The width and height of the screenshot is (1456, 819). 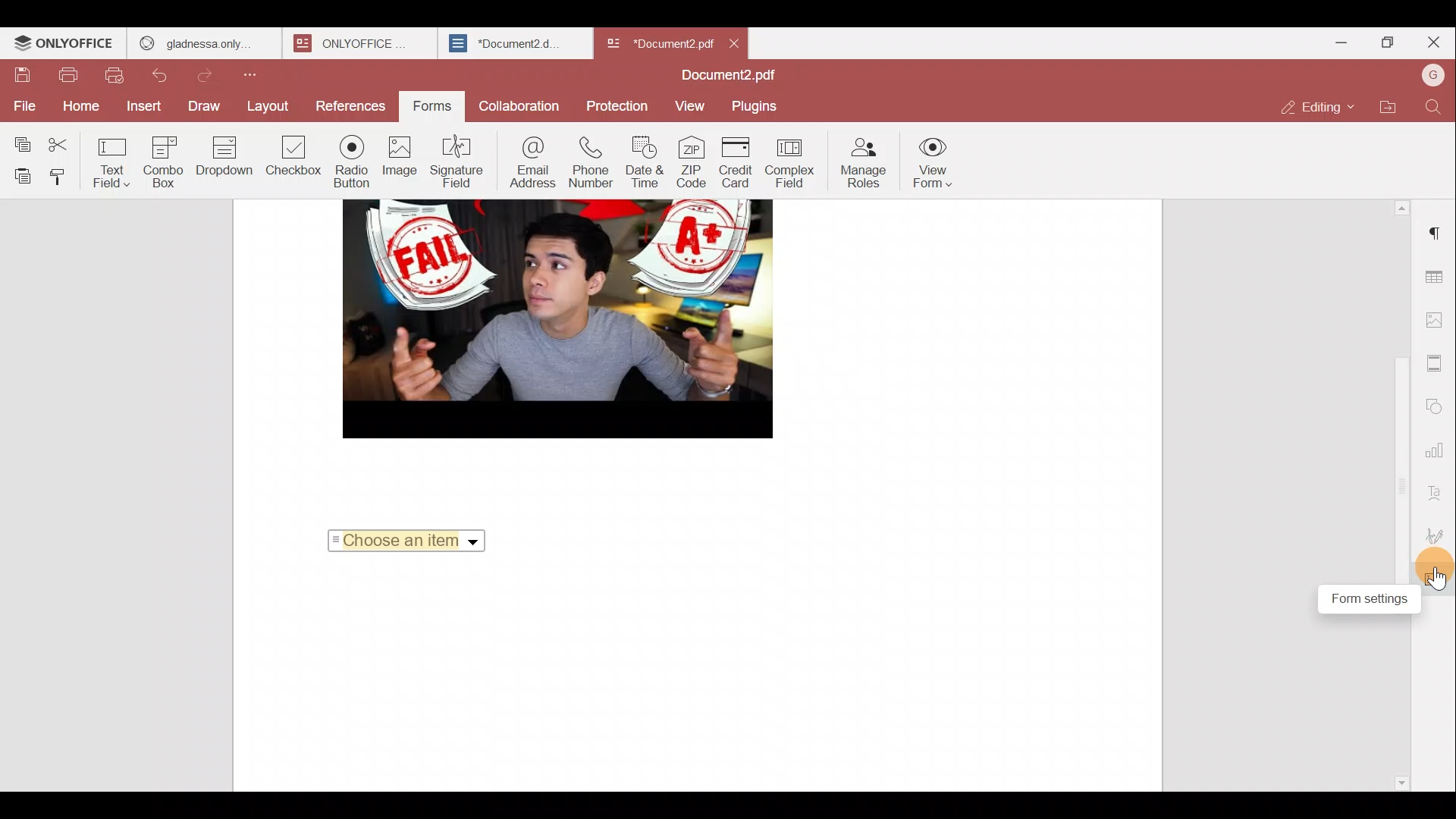 I want to click on Copy style, so click(x=65, y=177).